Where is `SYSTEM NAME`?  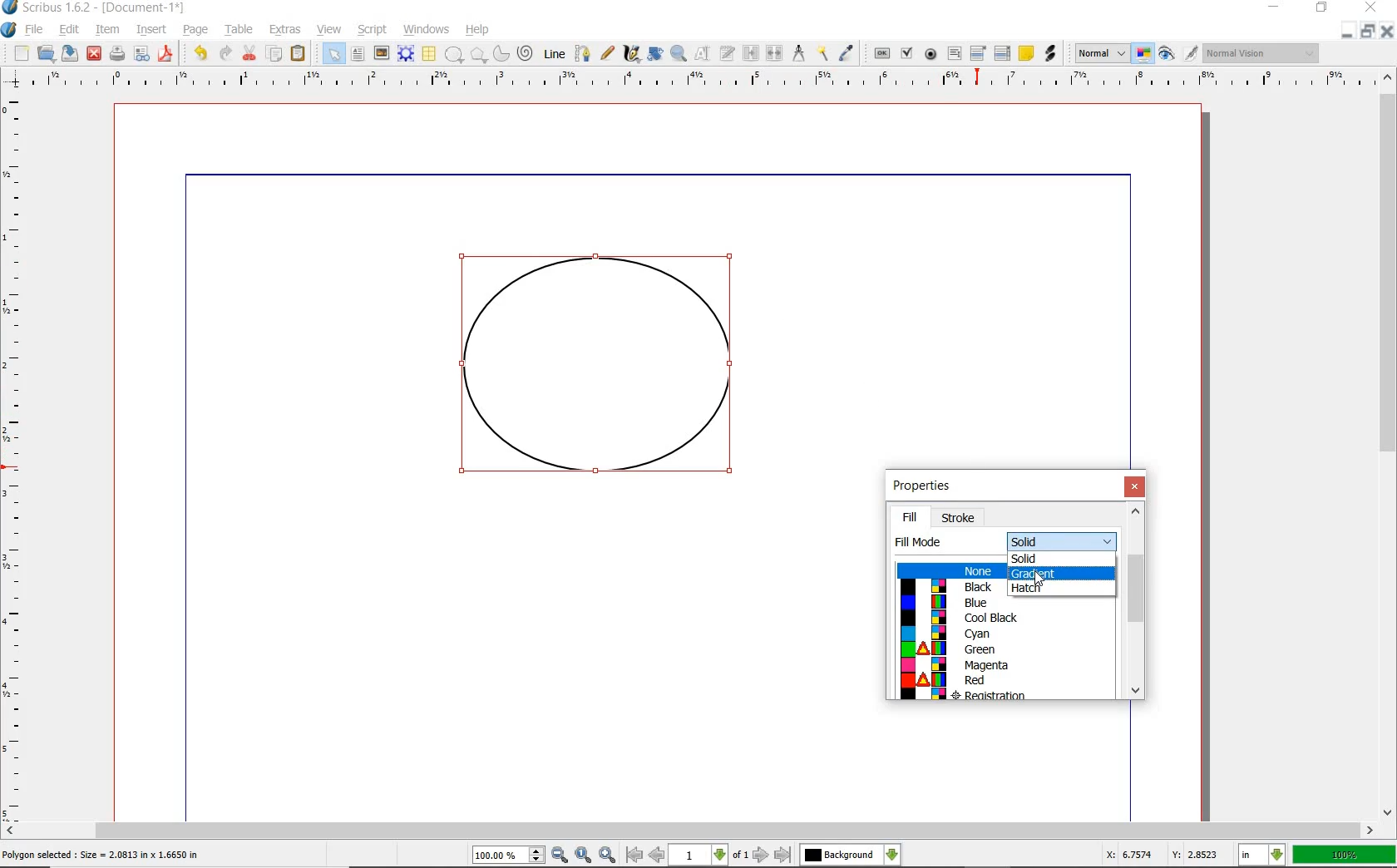
SYSTEM NAME is located at coordinates (95, 7).